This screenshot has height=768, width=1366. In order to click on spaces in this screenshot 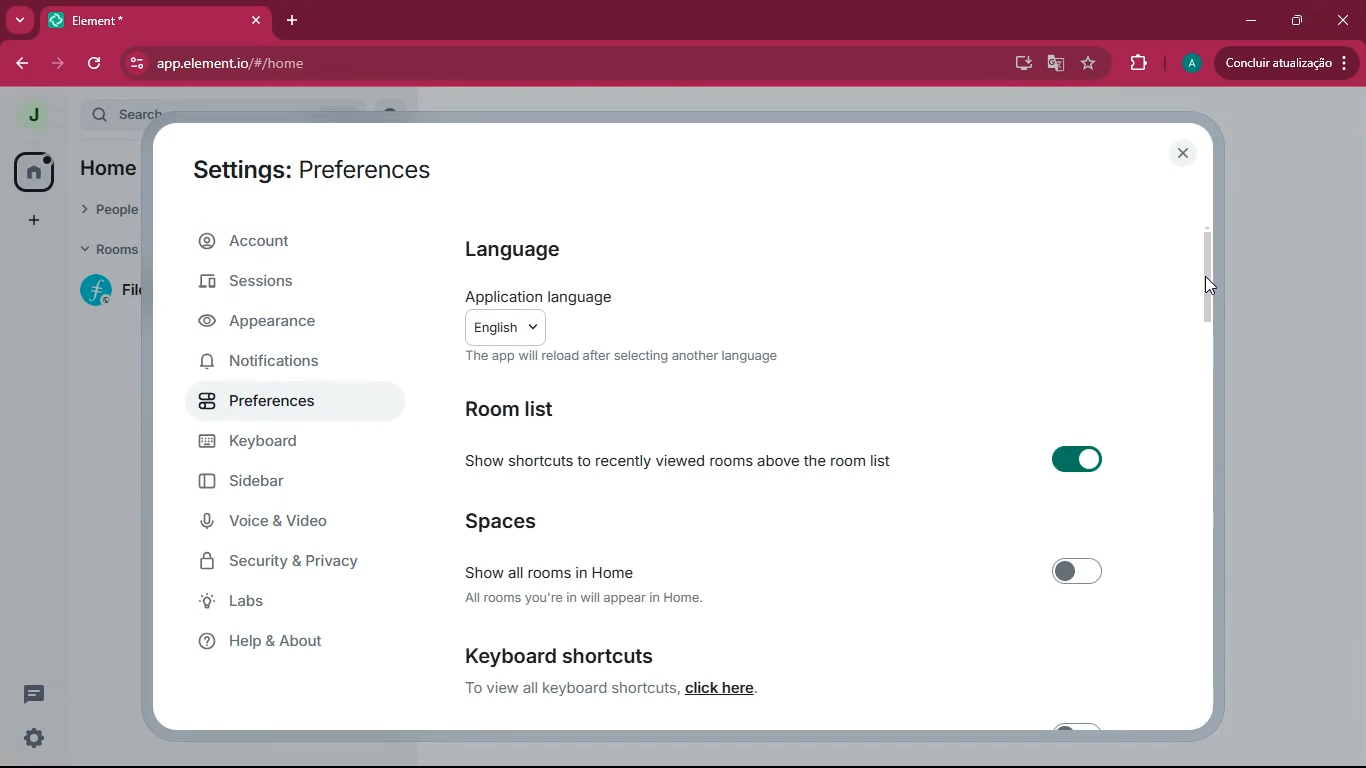, I will do `click(563, 522)`.